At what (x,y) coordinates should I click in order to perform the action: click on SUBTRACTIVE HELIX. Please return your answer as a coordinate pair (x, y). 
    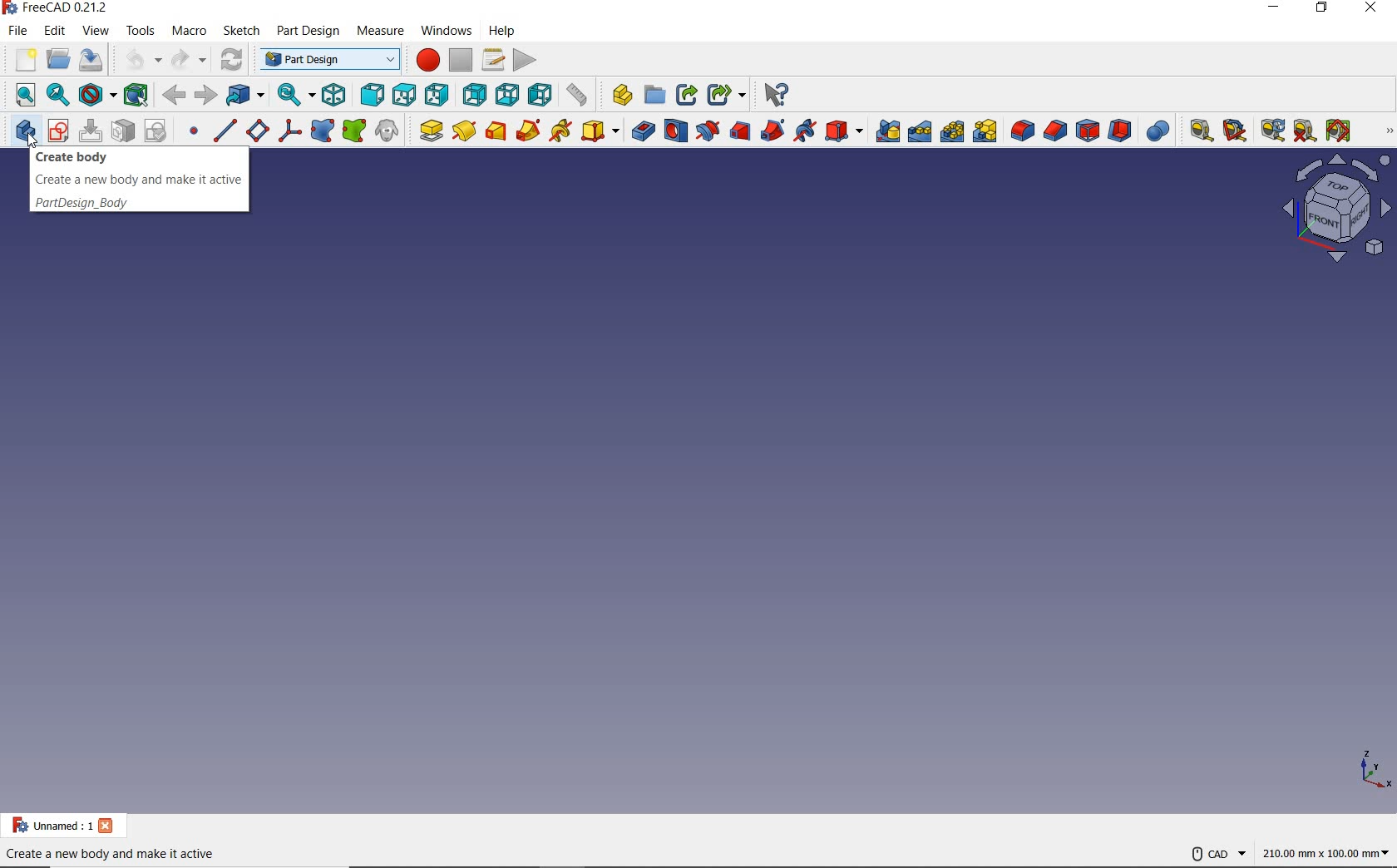
    Looking at the image, I should click on (807, 131).